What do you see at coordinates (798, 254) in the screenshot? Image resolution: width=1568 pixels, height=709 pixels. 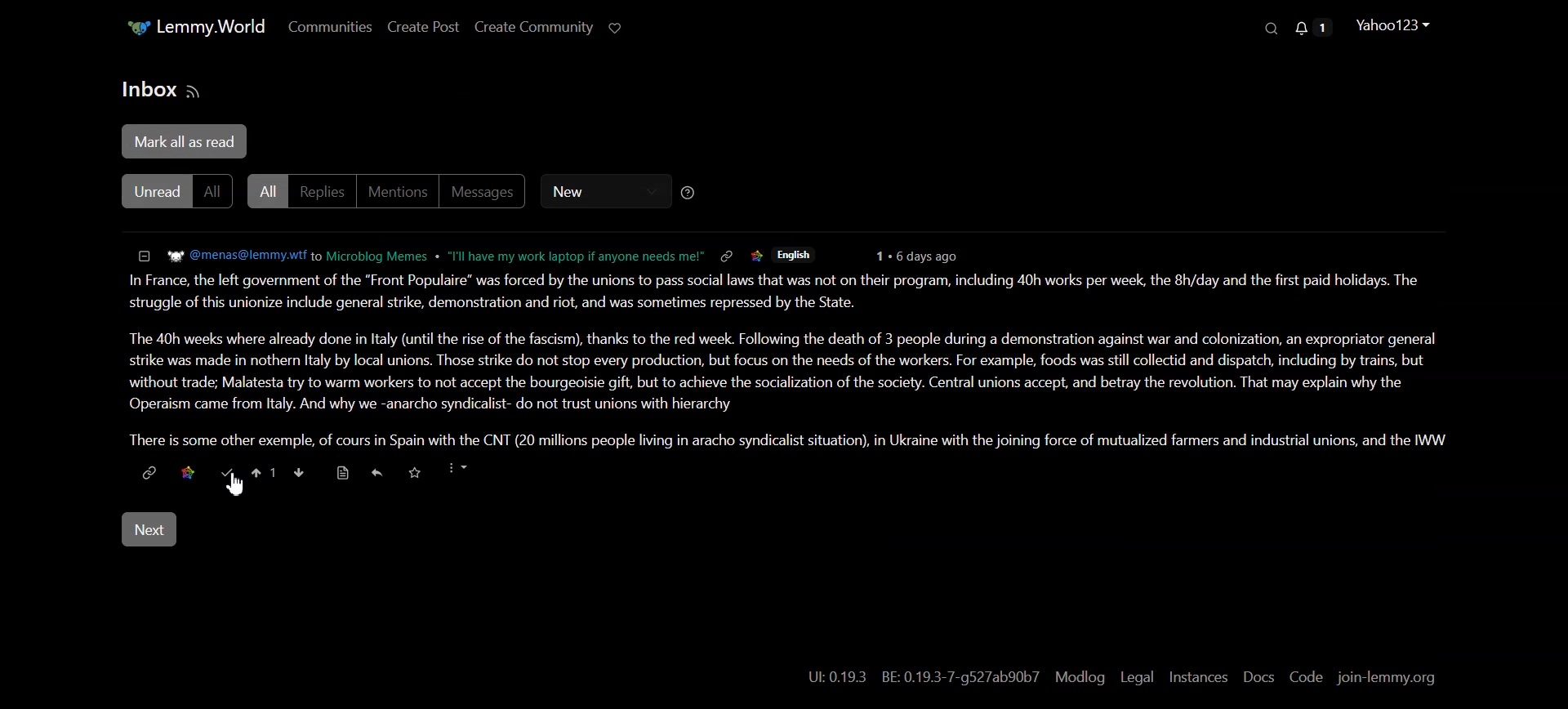 I see `English` at bounding box center [798, 254].